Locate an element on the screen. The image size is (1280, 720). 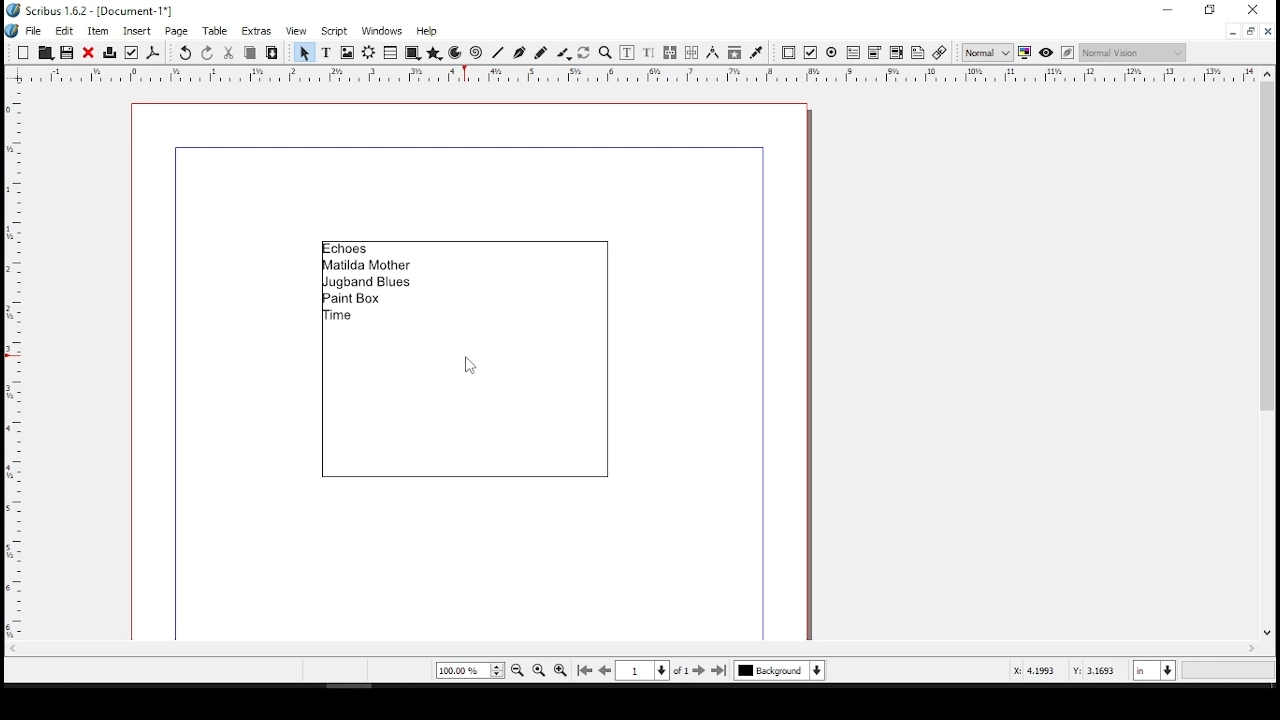
extras is located at coordinates (258, 32).